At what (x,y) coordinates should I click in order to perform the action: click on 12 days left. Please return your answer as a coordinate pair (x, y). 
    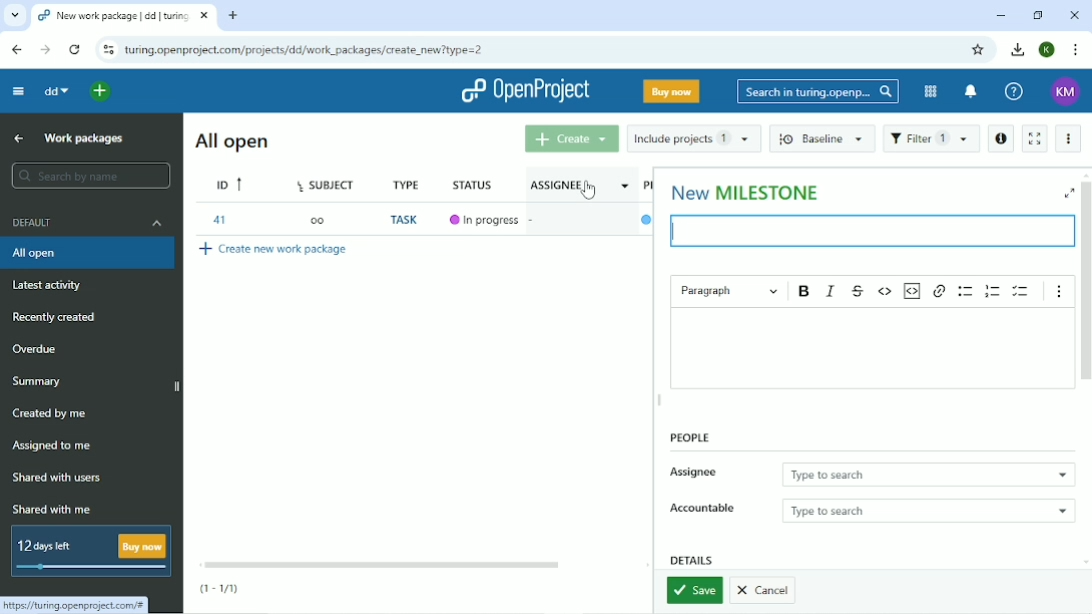
    Looking at the image, I should click on (92, 553).